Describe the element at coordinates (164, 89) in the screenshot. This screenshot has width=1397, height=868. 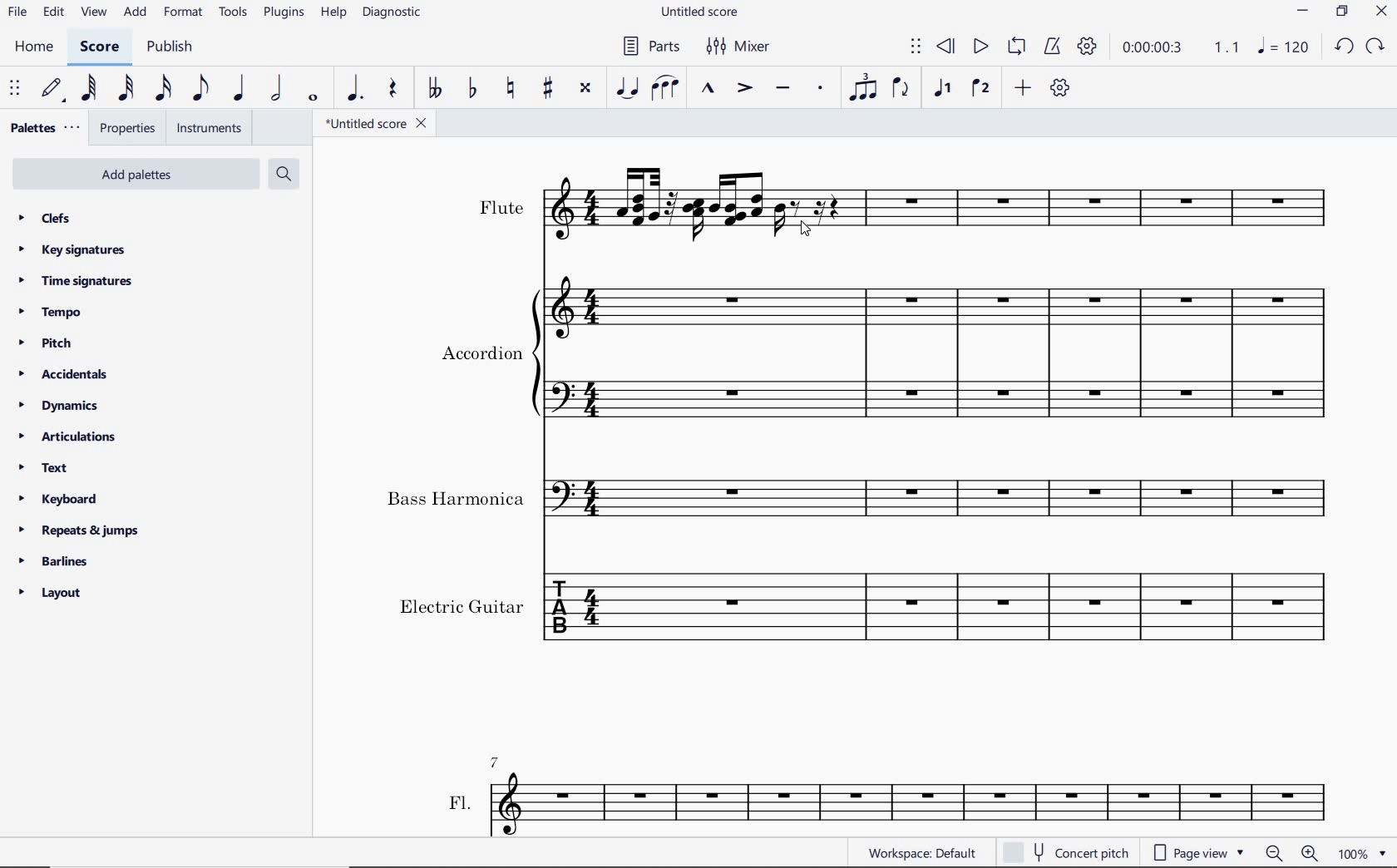
I see `16th note` at that location.